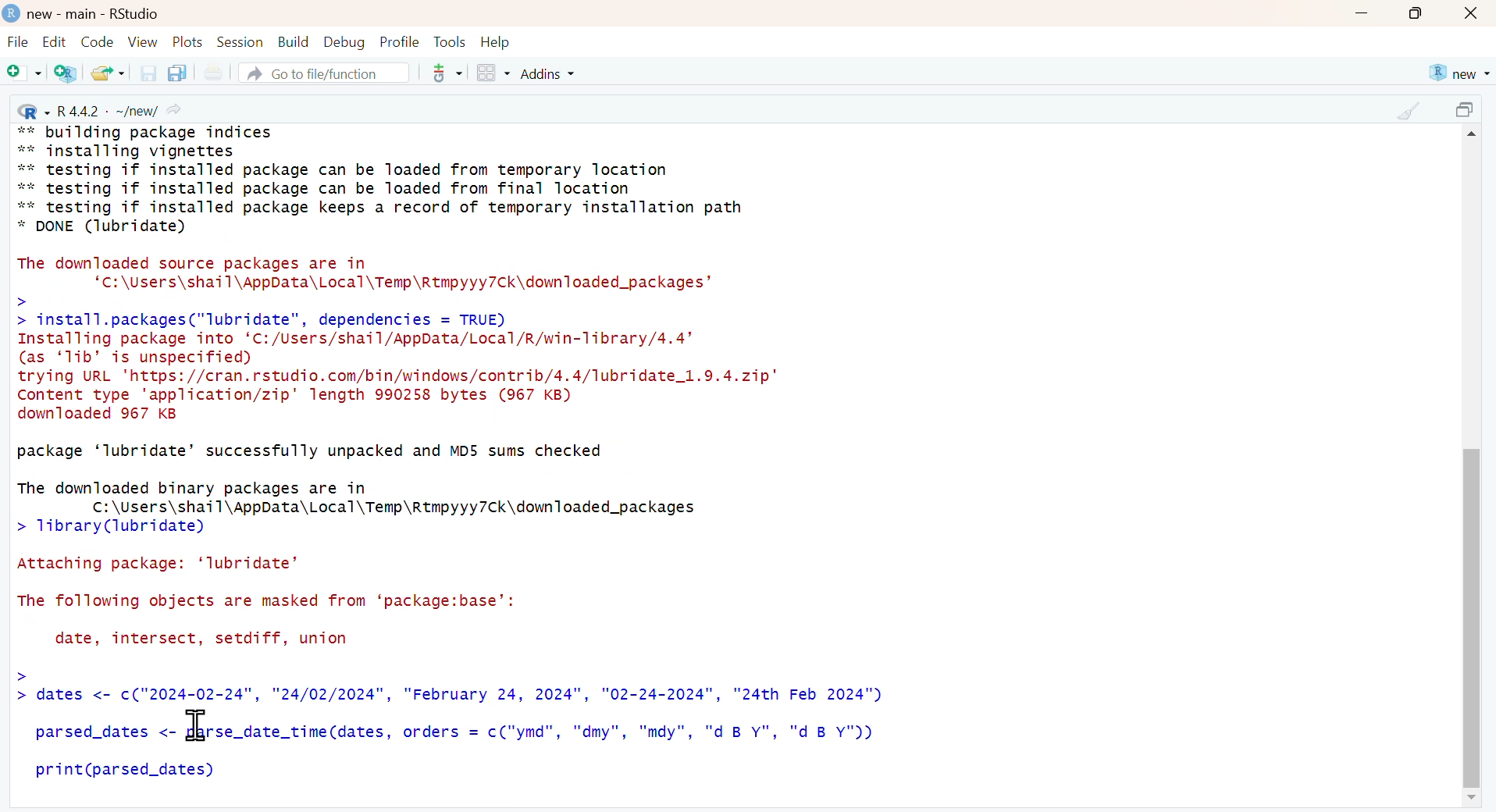  I want to click on open an existing file, so click(107, 72).